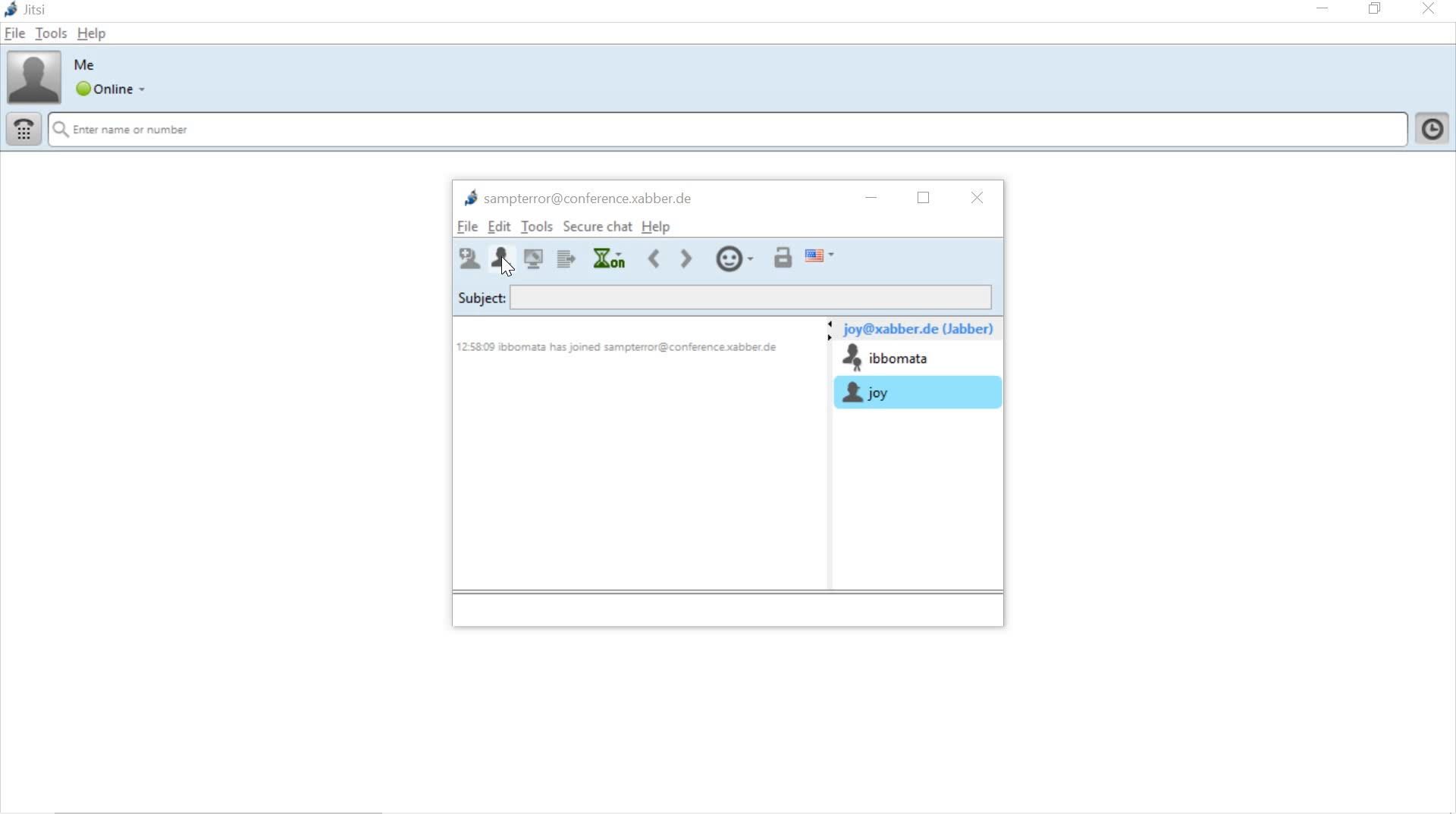  I want to click on start private conversation, so click(782, 258).